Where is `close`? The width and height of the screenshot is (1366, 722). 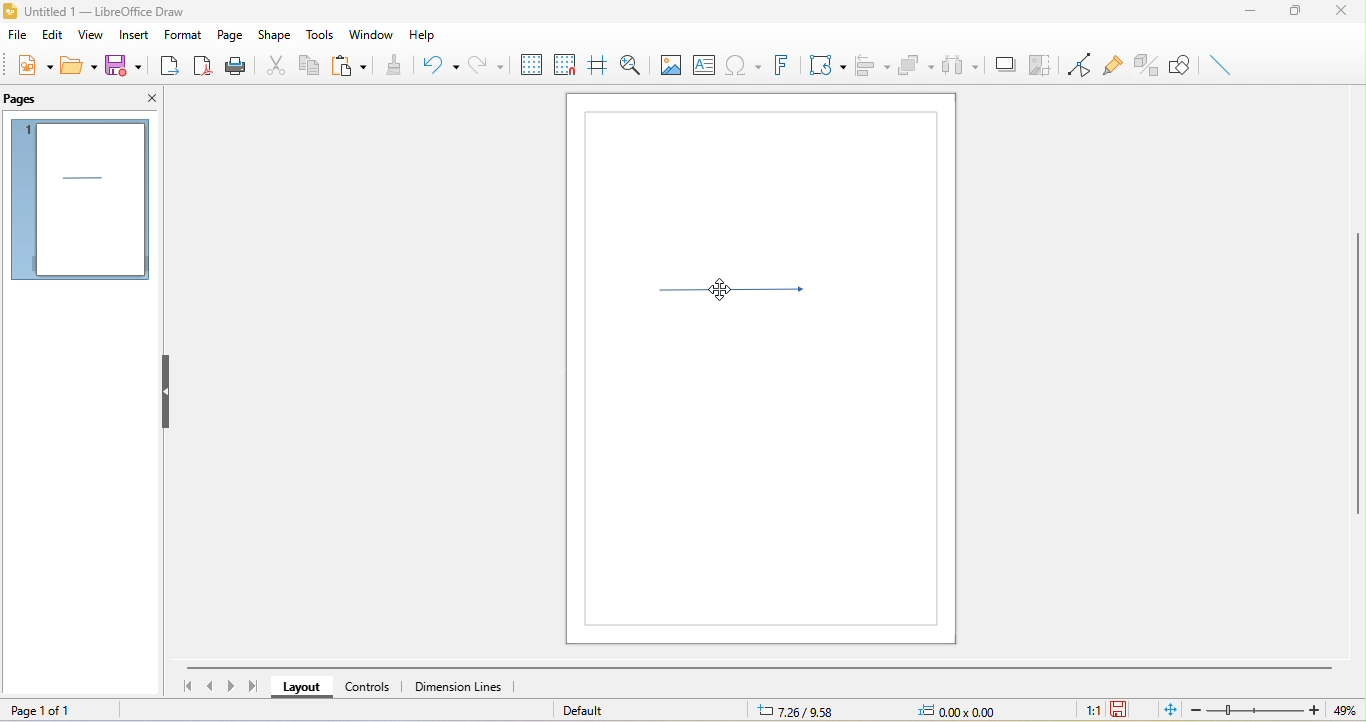 close is located at coordinates (1345, 13).